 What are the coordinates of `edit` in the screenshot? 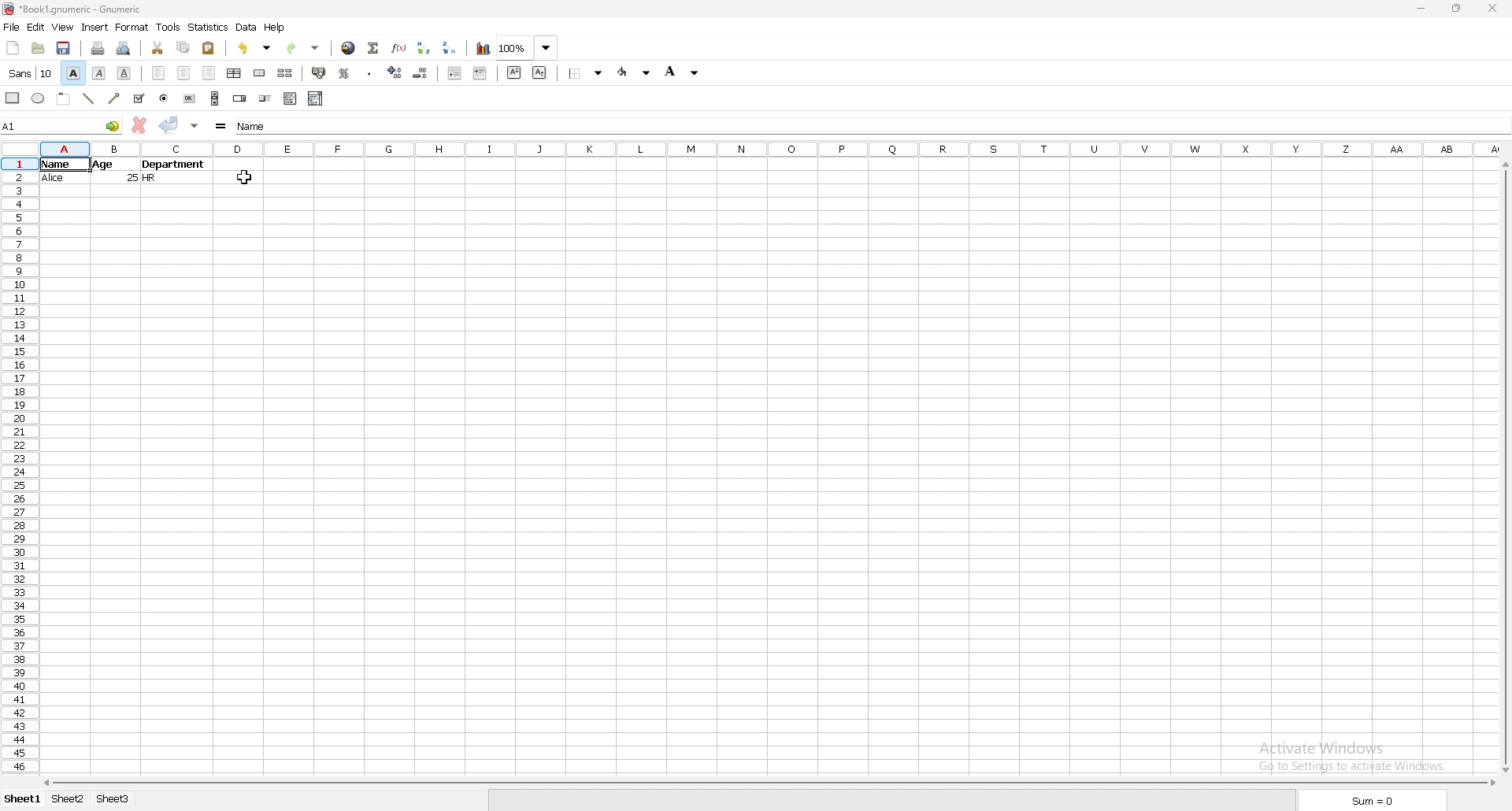 It's located at (36, 27).